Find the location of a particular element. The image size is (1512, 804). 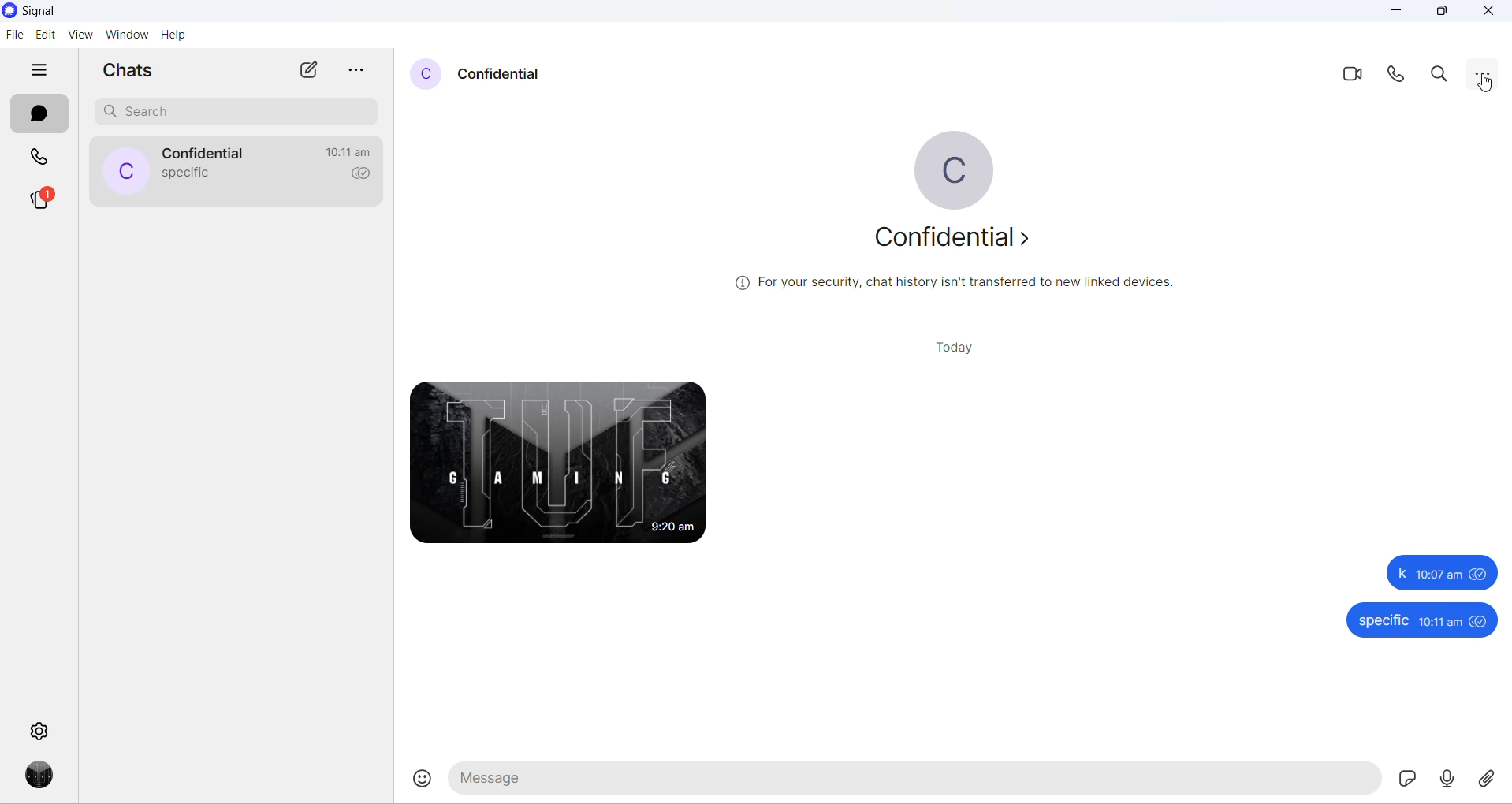

emojis is located at coordinates (417, 783).